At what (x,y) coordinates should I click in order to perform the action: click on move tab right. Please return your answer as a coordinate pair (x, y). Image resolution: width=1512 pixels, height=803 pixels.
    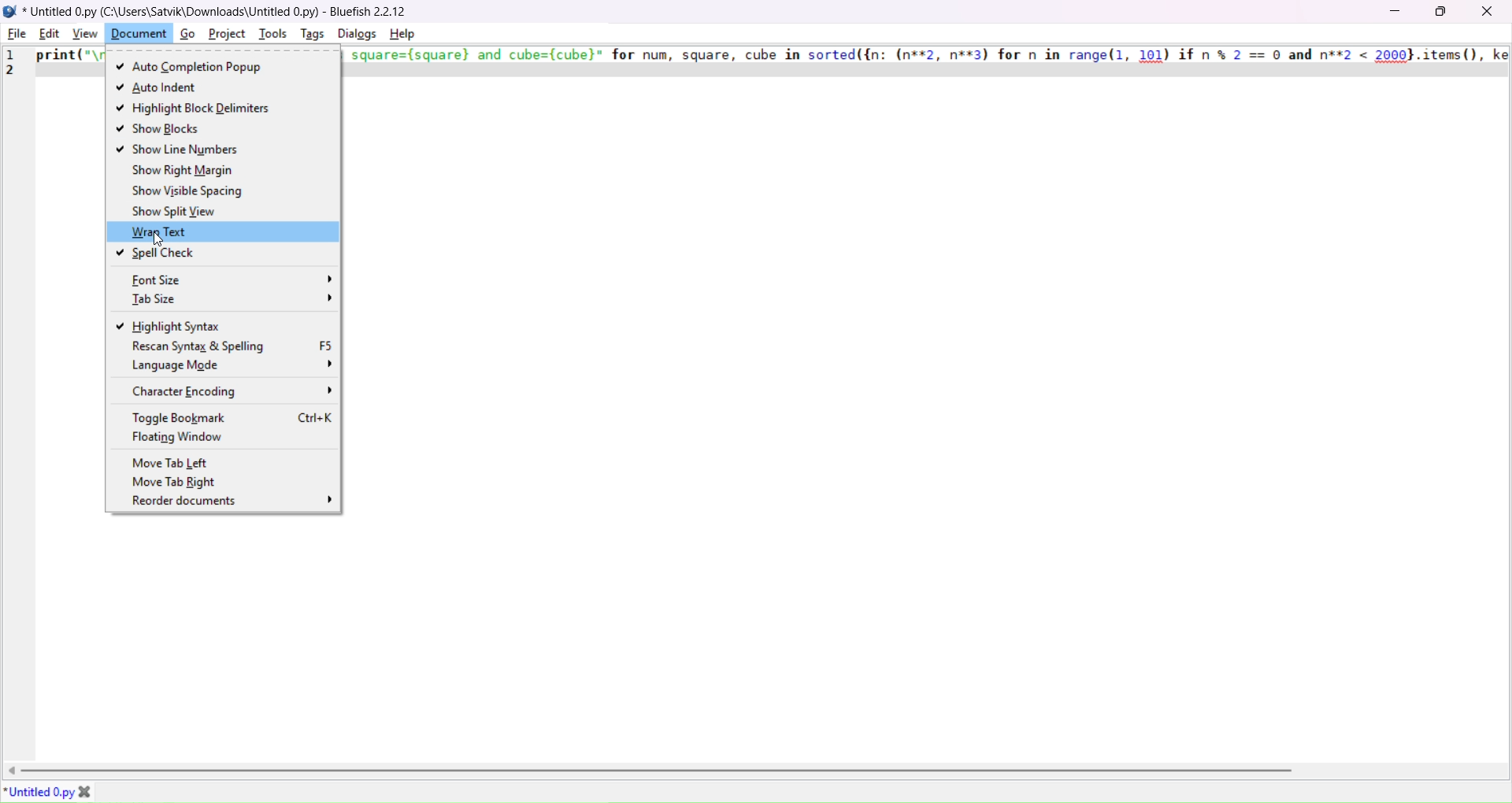
    Looking at the image, I should click on (178, 482).